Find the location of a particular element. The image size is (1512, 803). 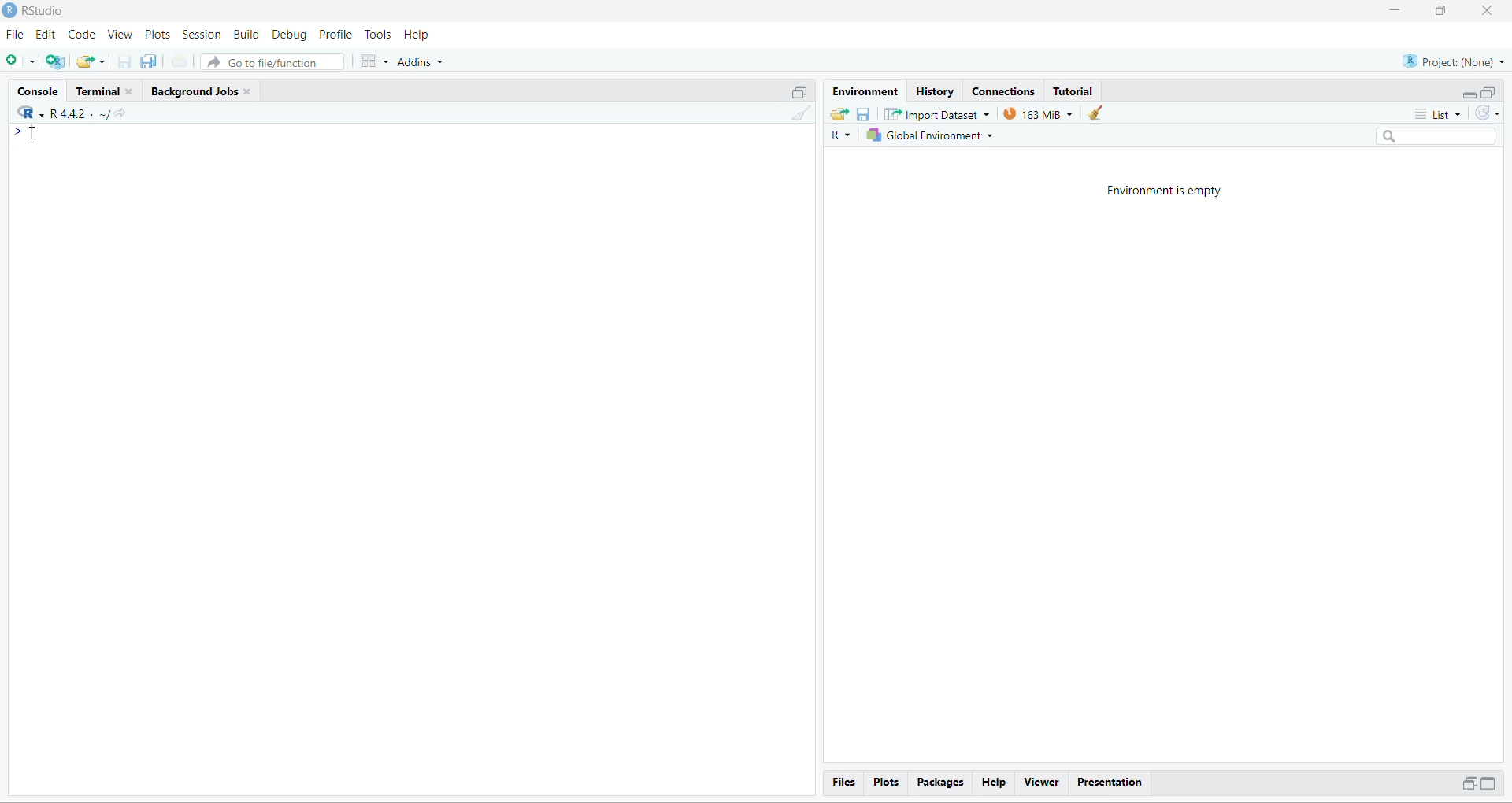

list is located at coordinates (1443, 113).